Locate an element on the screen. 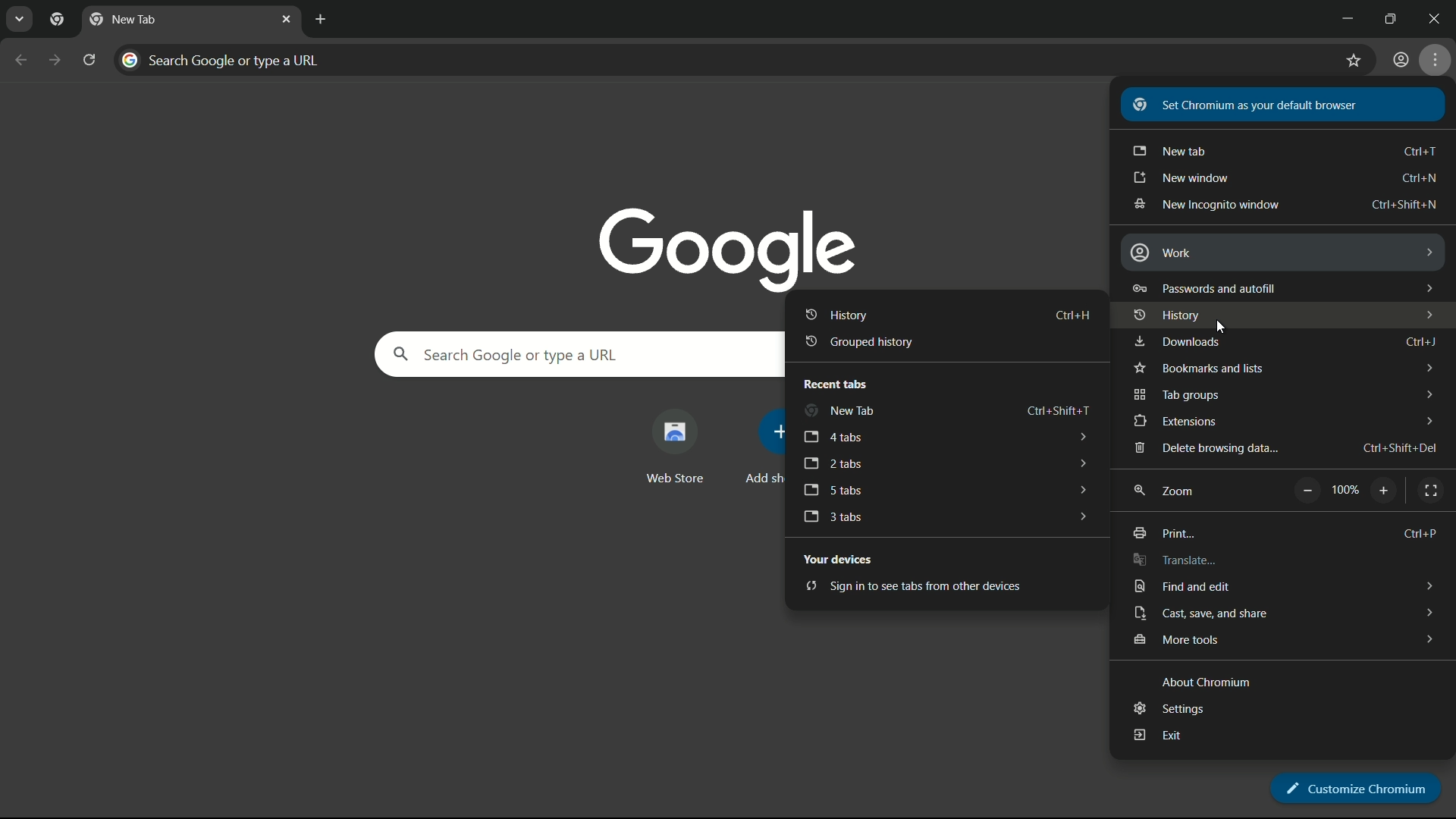 This screenshot has width=1456, height=819. print is located at coordinates (1162, 535).